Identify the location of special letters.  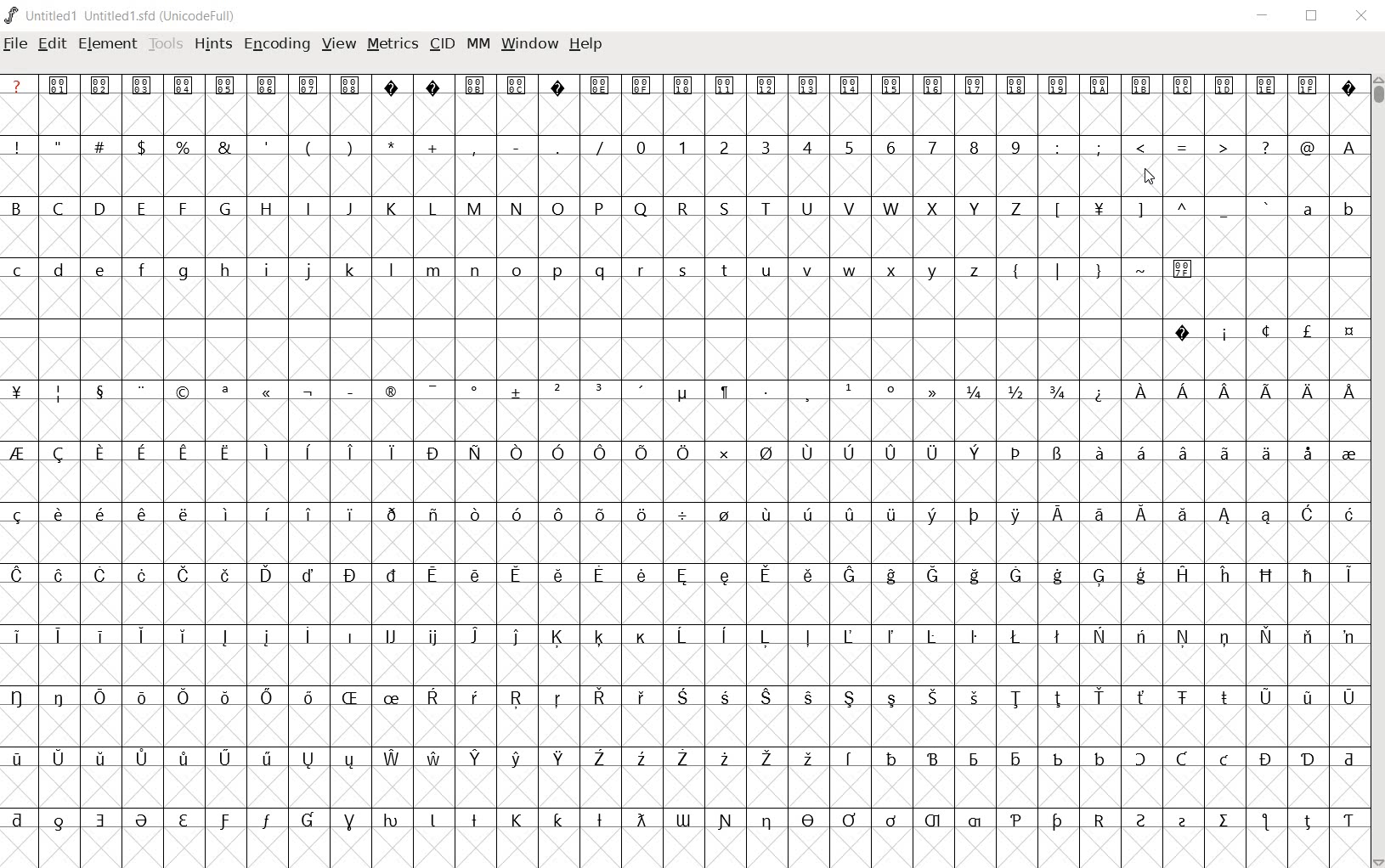
(684, 512).